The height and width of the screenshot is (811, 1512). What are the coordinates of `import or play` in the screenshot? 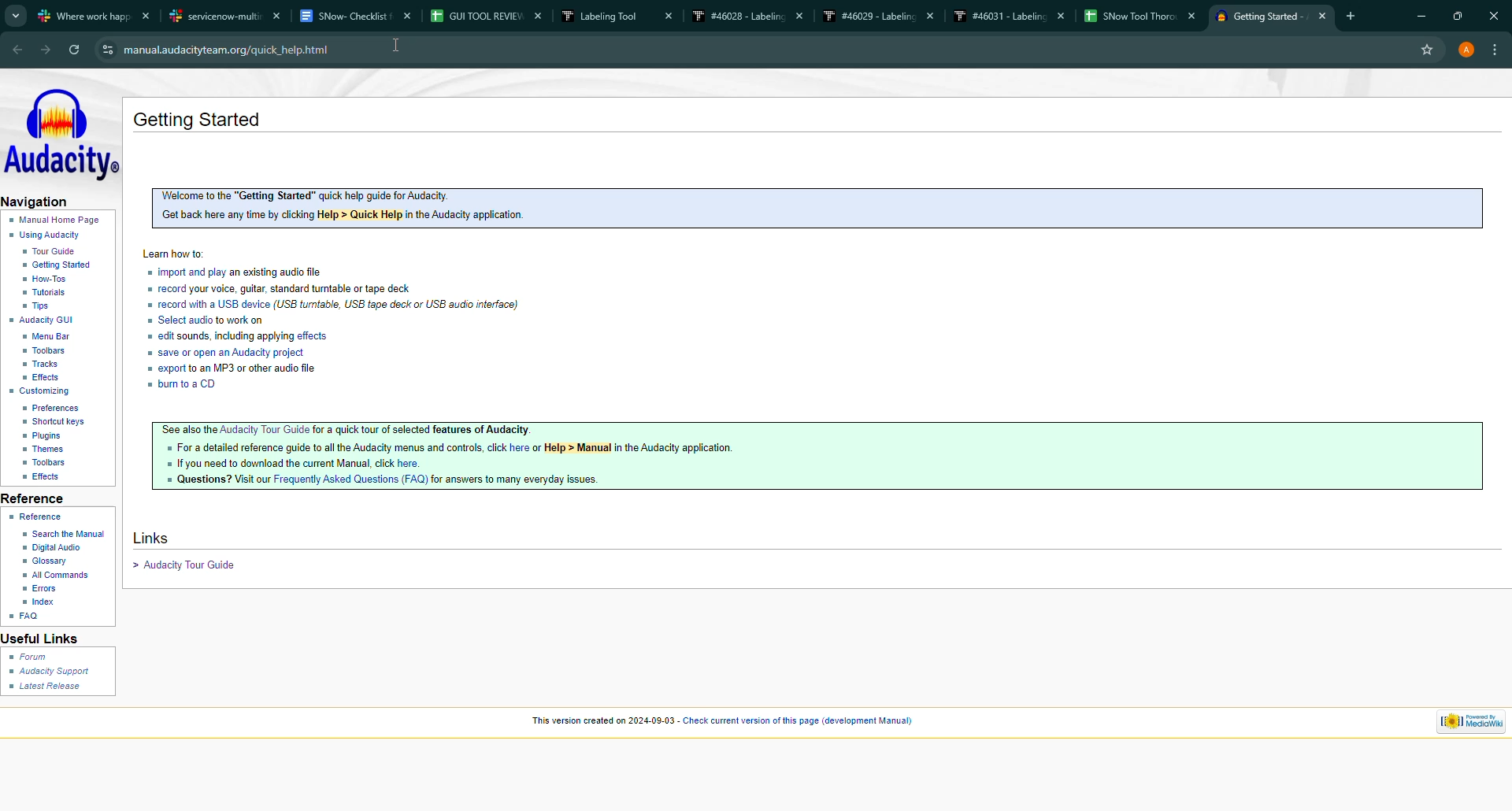 It's located at (184, 274).